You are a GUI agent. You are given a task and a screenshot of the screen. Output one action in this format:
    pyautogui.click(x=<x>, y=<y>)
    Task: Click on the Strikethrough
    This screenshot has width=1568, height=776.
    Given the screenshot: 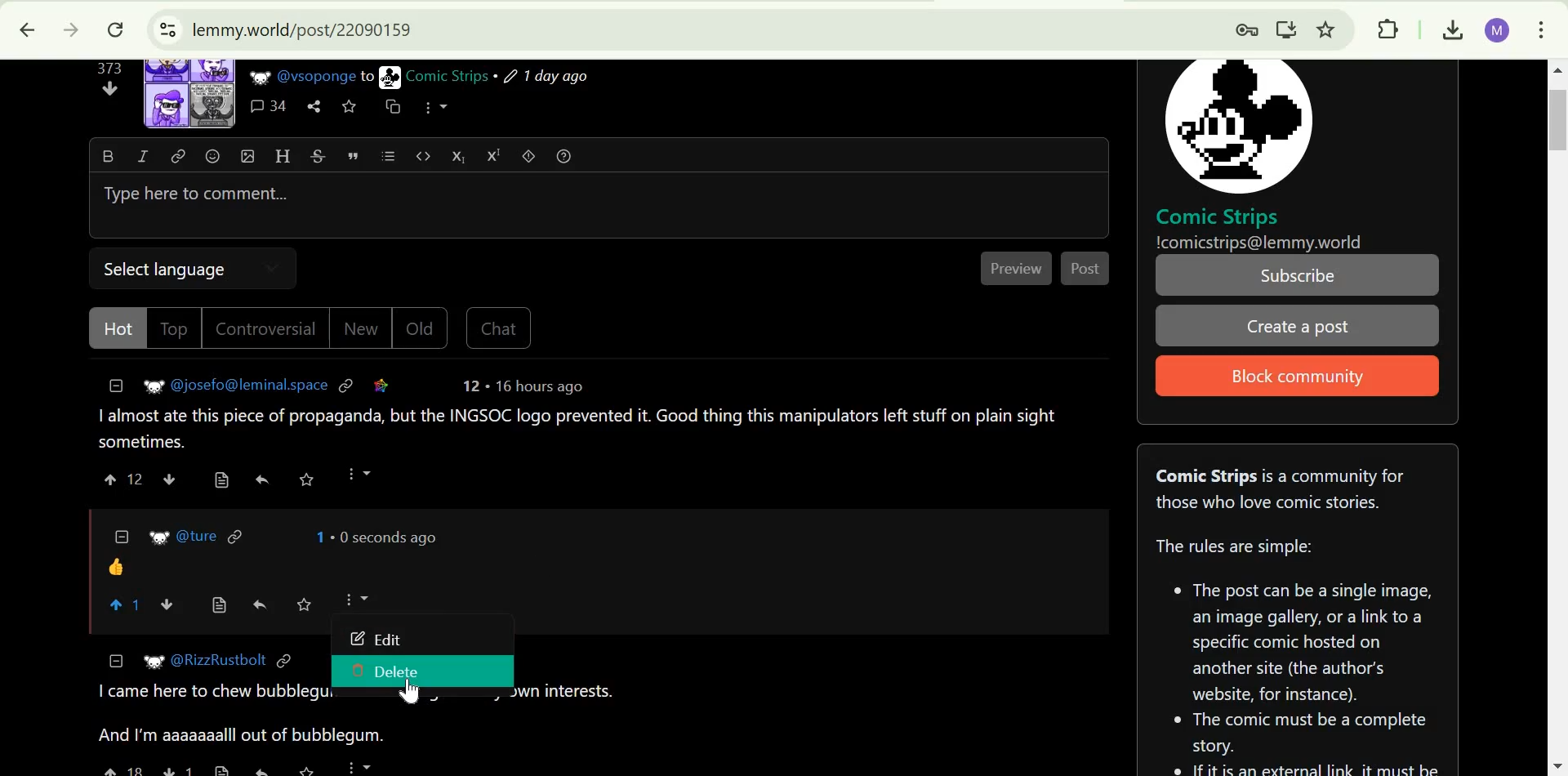 What is the action you would take?
    pyautogui.click(x=318, y=155)
    